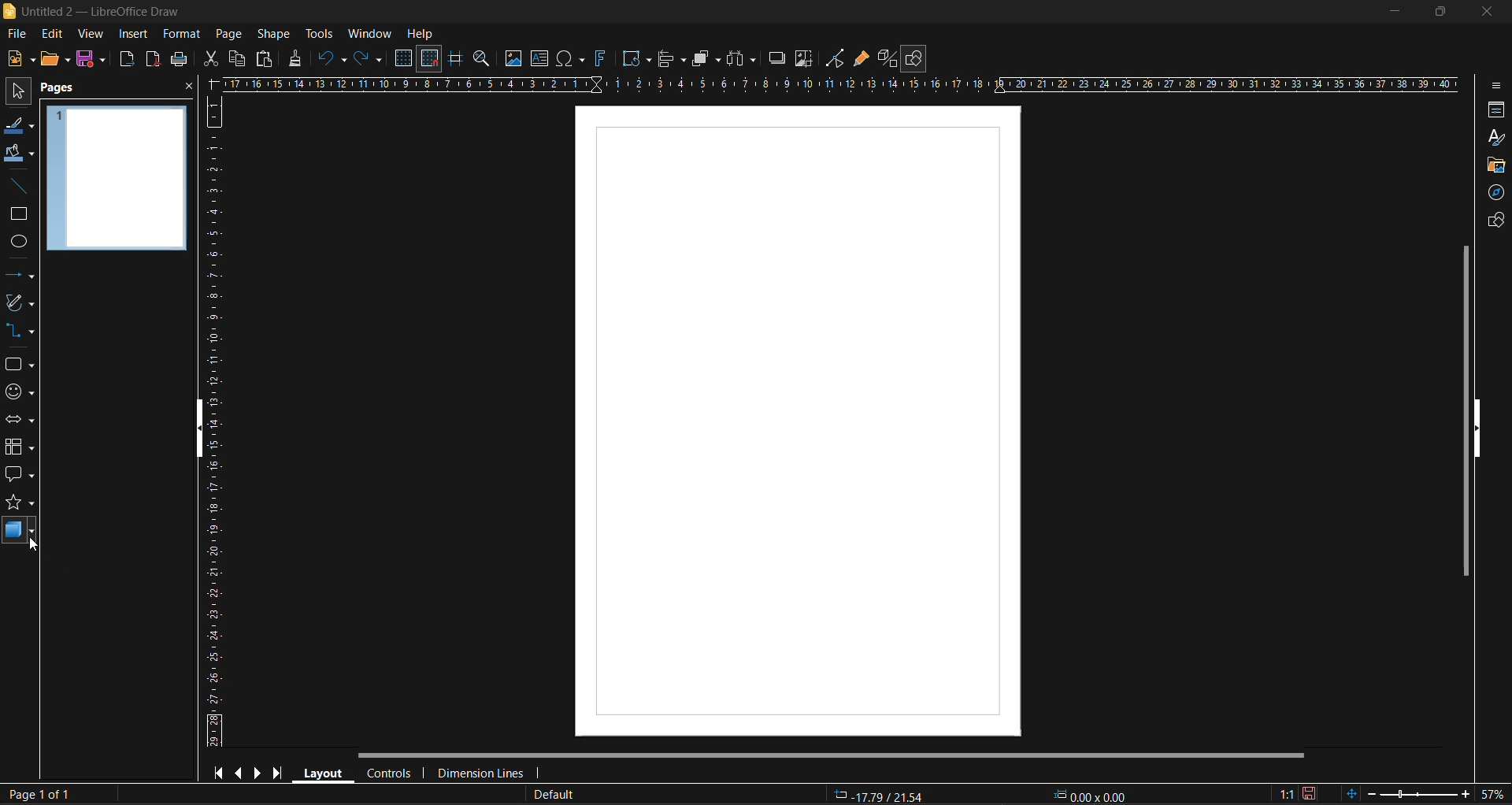 This screenshot has width=1512, height=805. Describe the element at coordinates (1484, 9) in the screenshot. I see `close` at that location.